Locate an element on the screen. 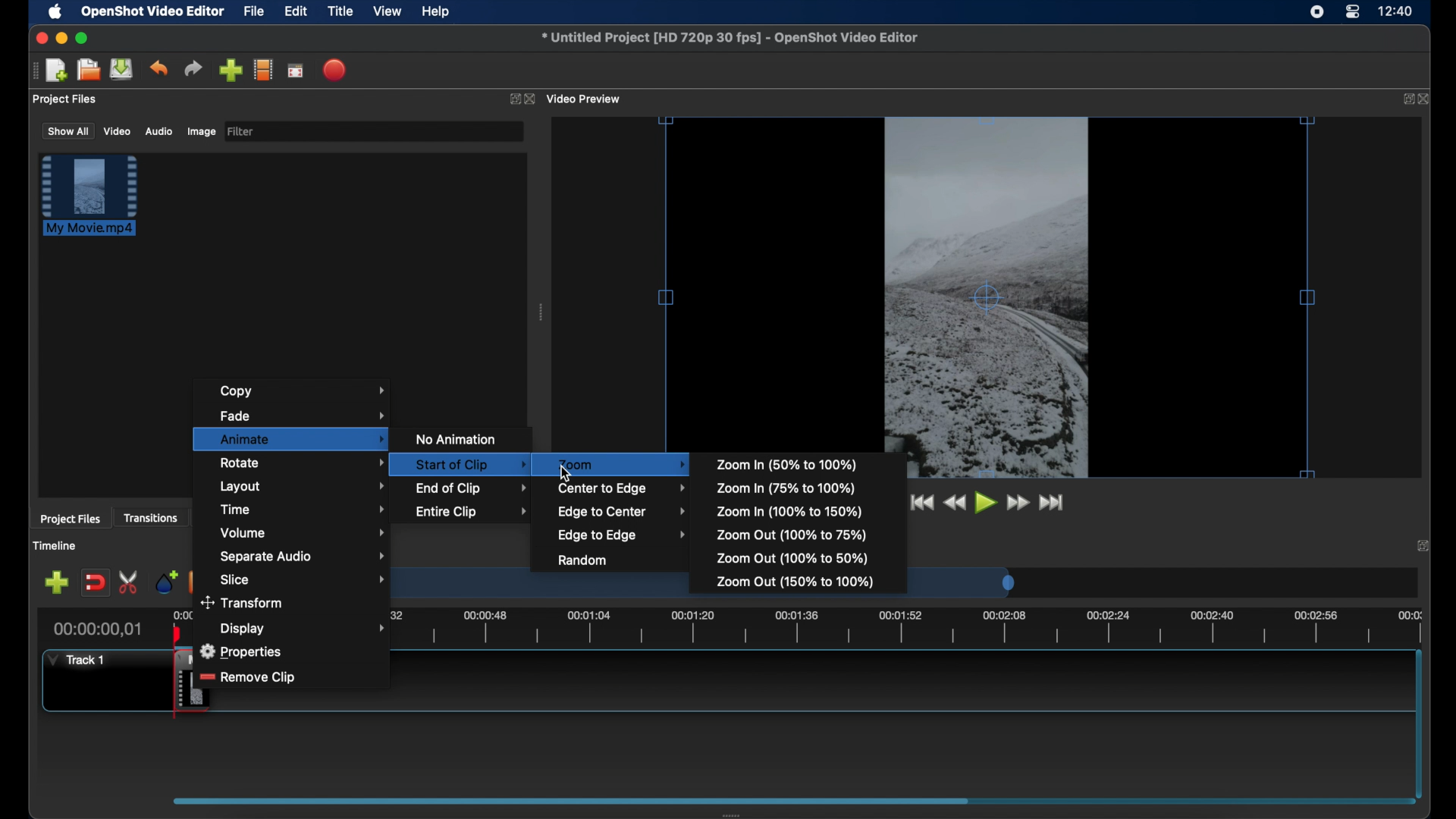  timeline is located at coordinates (57, 547).